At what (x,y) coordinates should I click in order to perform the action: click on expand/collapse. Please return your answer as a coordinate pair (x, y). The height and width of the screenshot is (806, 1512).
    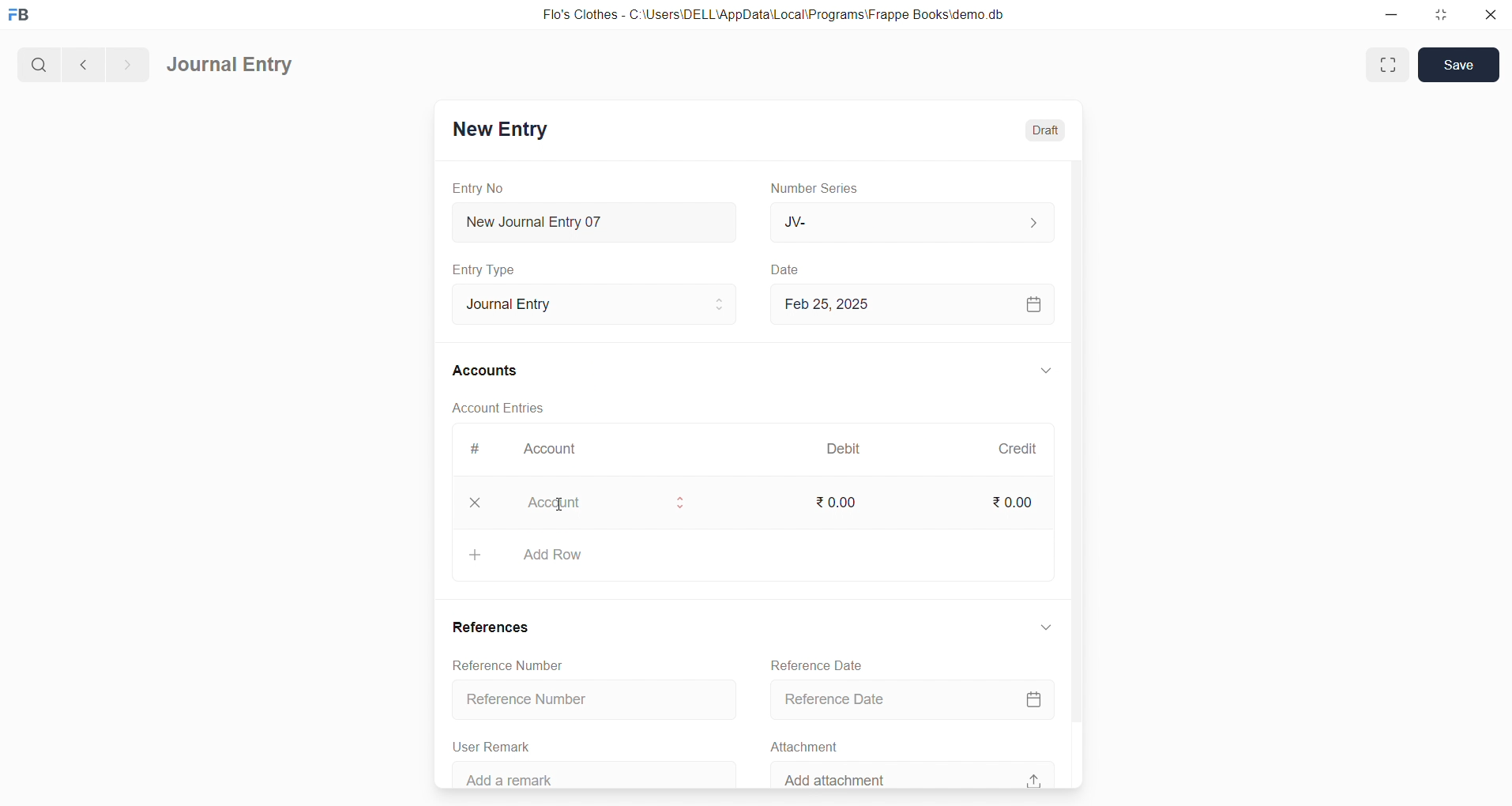
    Looking at the image, I should click on (1045, 371).